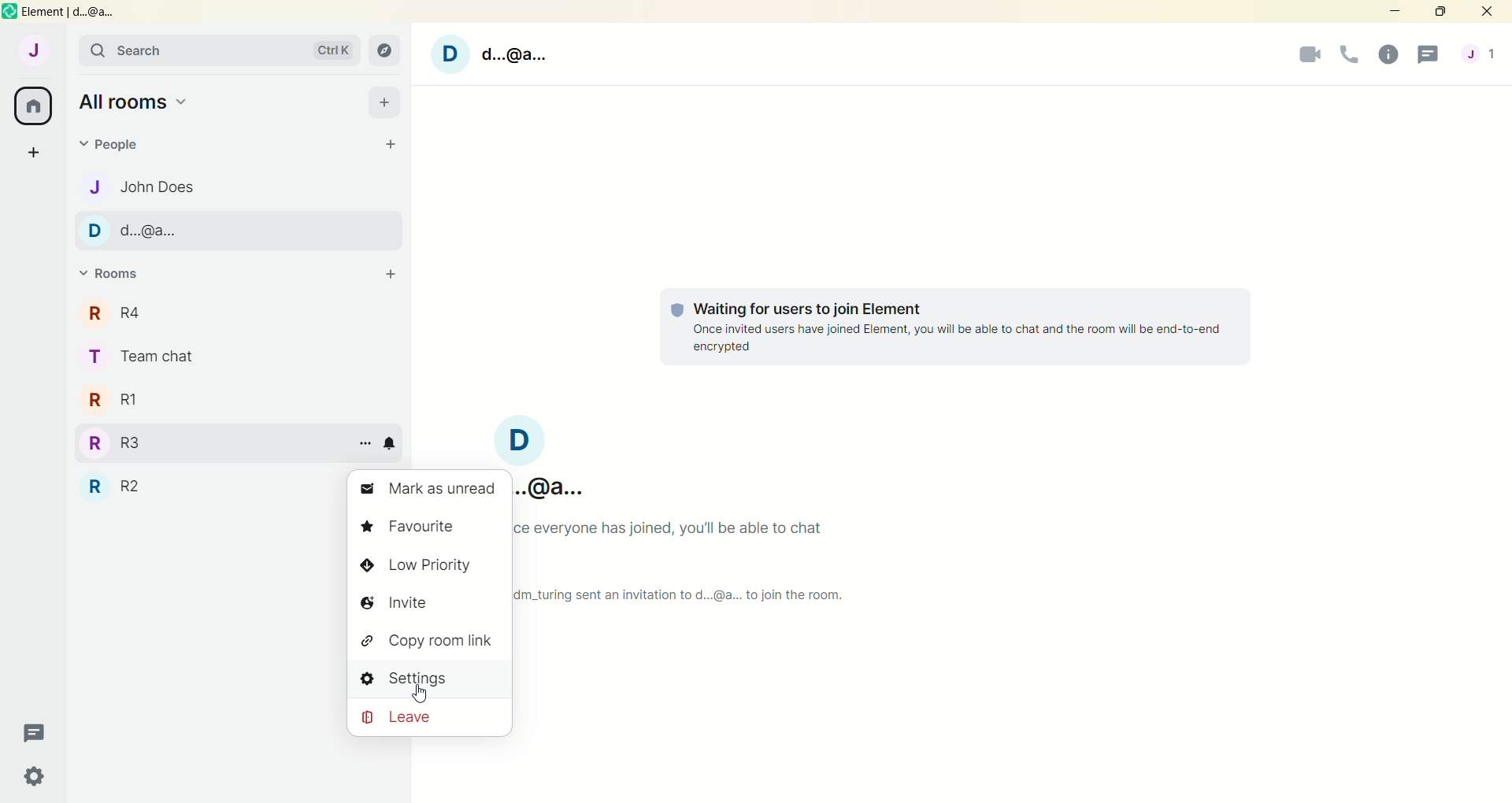  I want to click on all rooms, so click(139, 101).